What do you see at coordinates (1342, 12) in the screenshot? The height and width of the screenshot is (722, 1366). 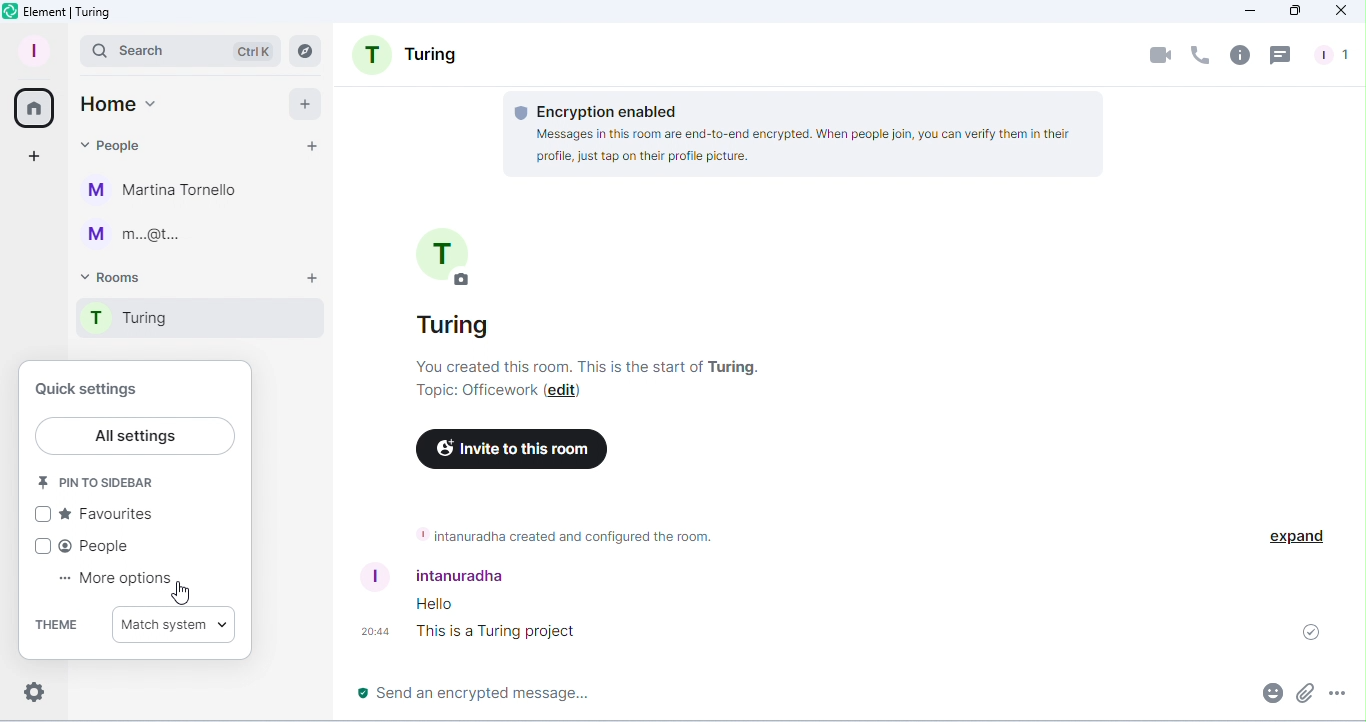 I see `Close` at bounding box center [1342, 12].